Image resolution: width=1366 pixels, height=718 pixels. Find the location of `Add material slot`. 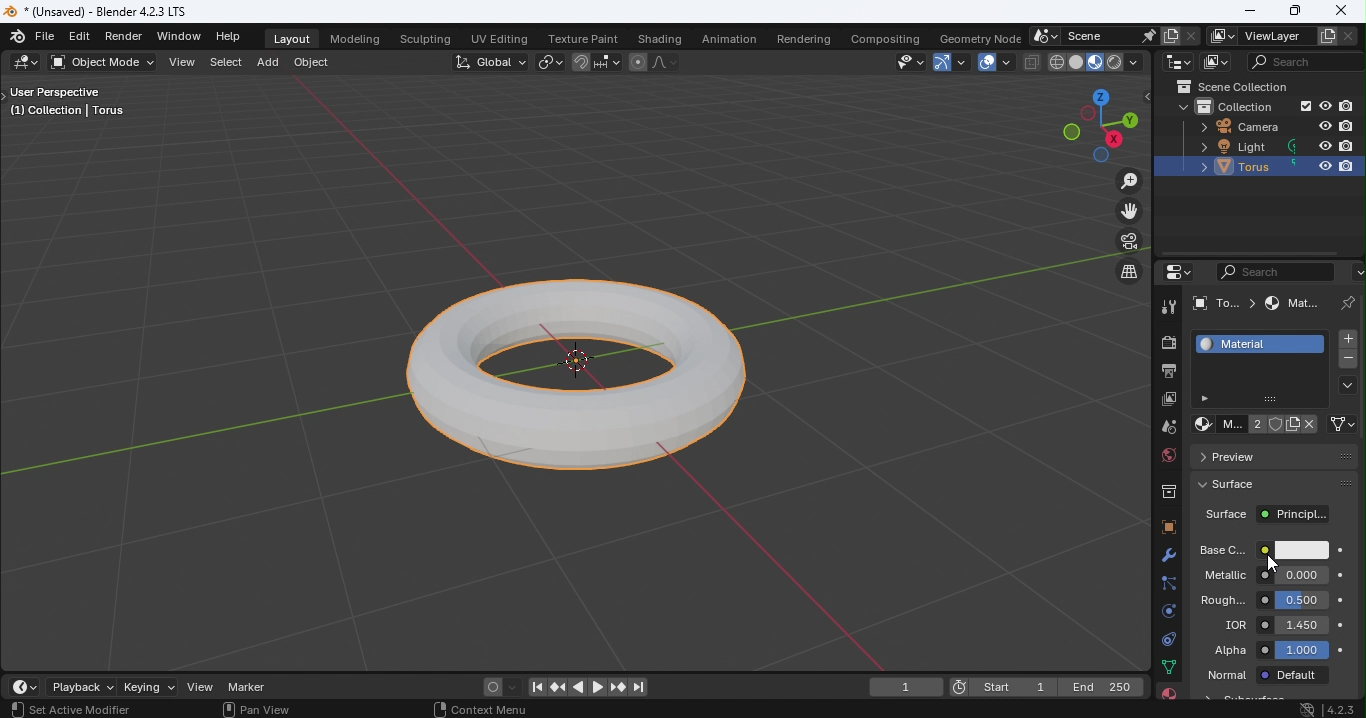

Add material slot is located at coordinates (1347, 339).